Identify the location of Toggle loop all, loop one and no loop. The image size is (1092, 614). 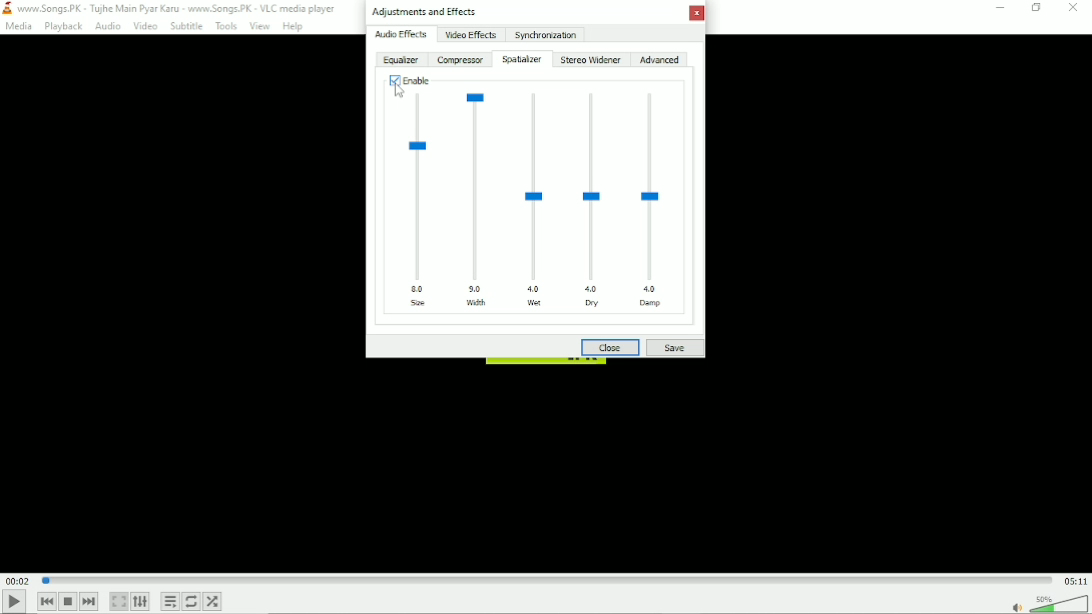
(190, 601).